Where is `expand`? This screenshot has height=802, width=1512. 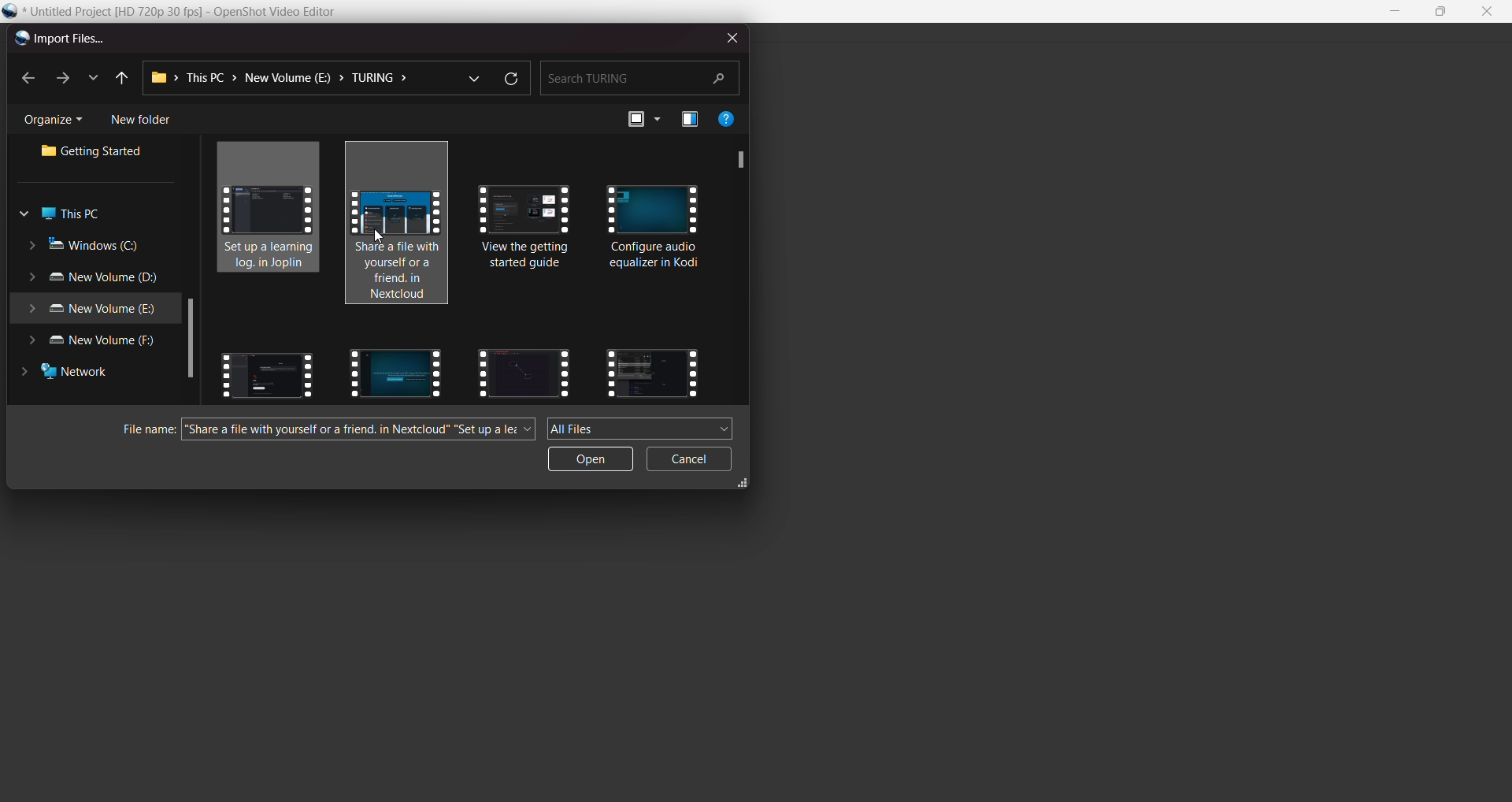
expand is located at coordinates (744, 485).